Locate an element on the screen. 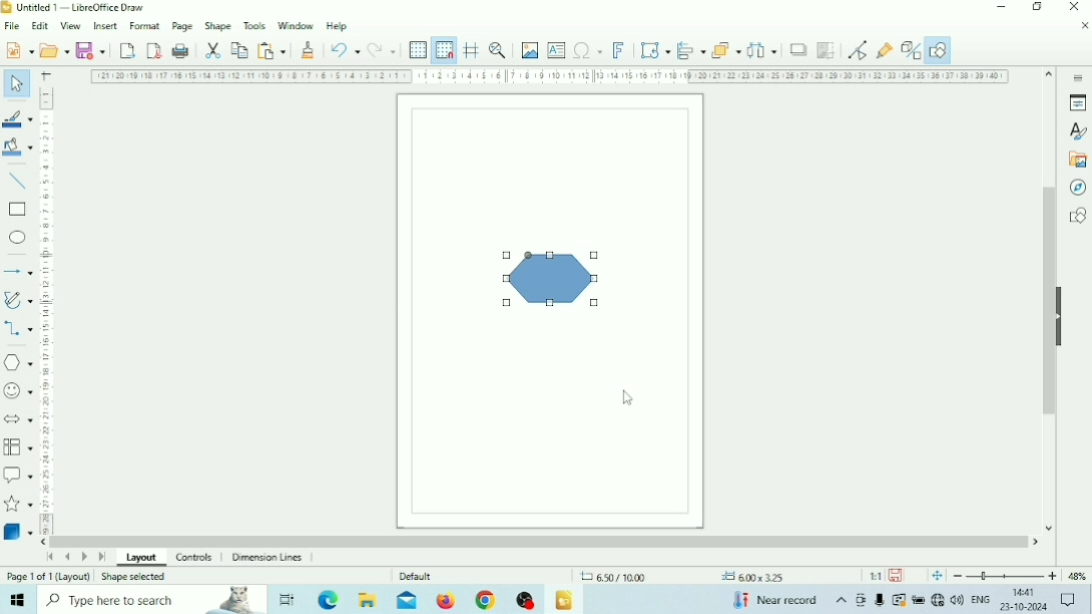 This screenshot has width=1092, height=614. Insert is located at coordinates (106, 25).